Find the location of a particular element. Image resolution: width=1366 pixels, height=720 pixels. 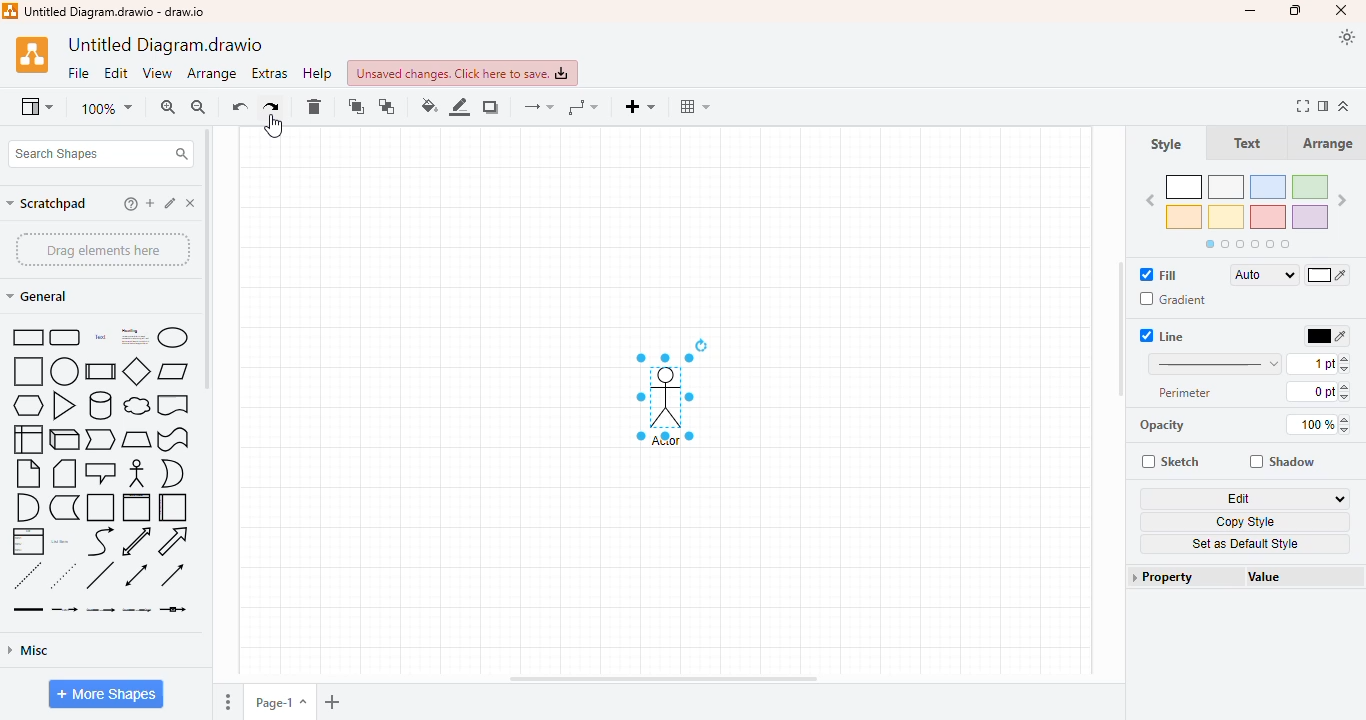

appearance is located at coordinates (1347, 38).